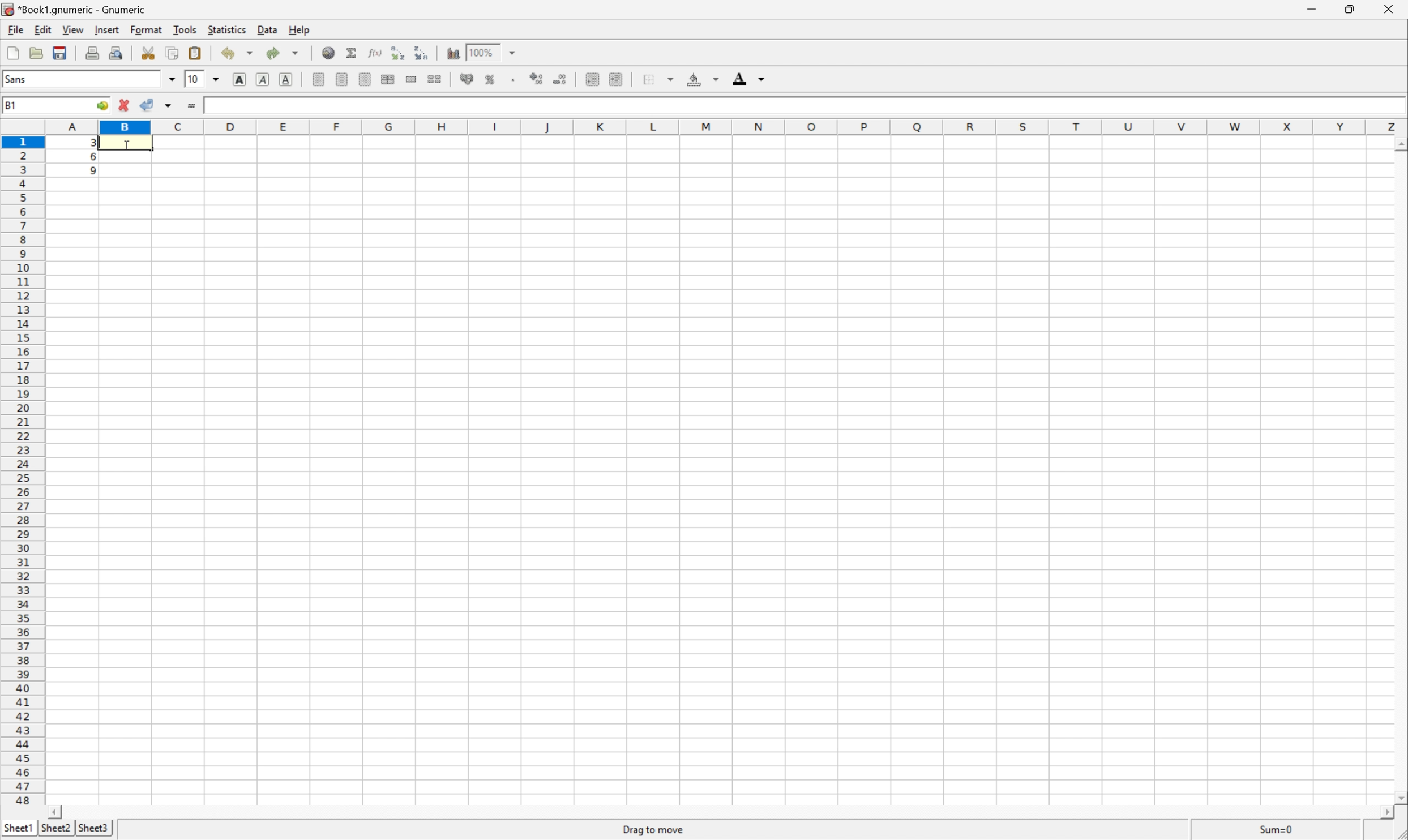 The height and width of the screenshot is (840, 1408). What do you see at coordinates (388, 78) in the screenshot?
I see `Center horizontally across selection` at bounding box center [388, 78].